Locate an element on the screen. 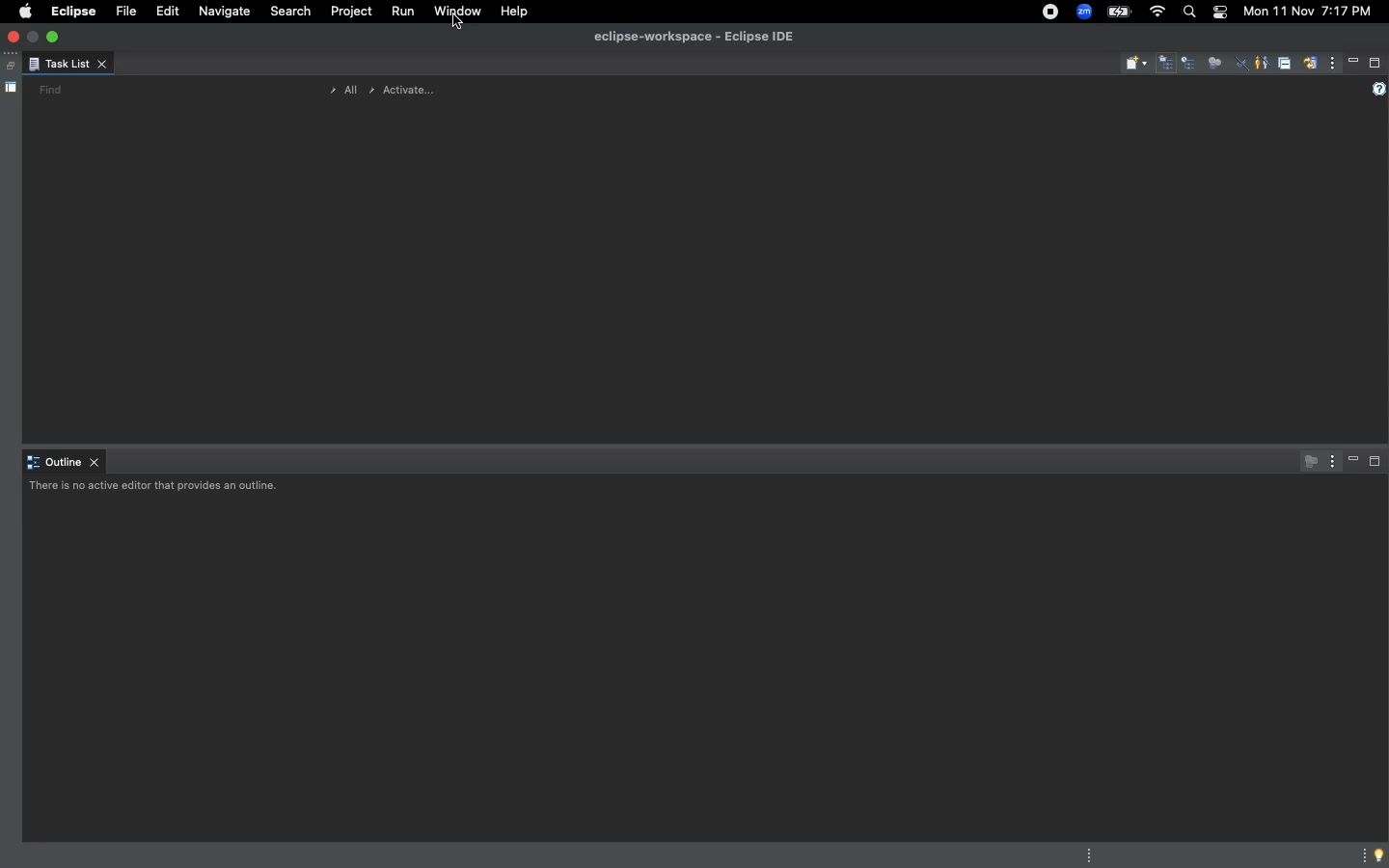  Maximize is located at coordinates (1375, 63).